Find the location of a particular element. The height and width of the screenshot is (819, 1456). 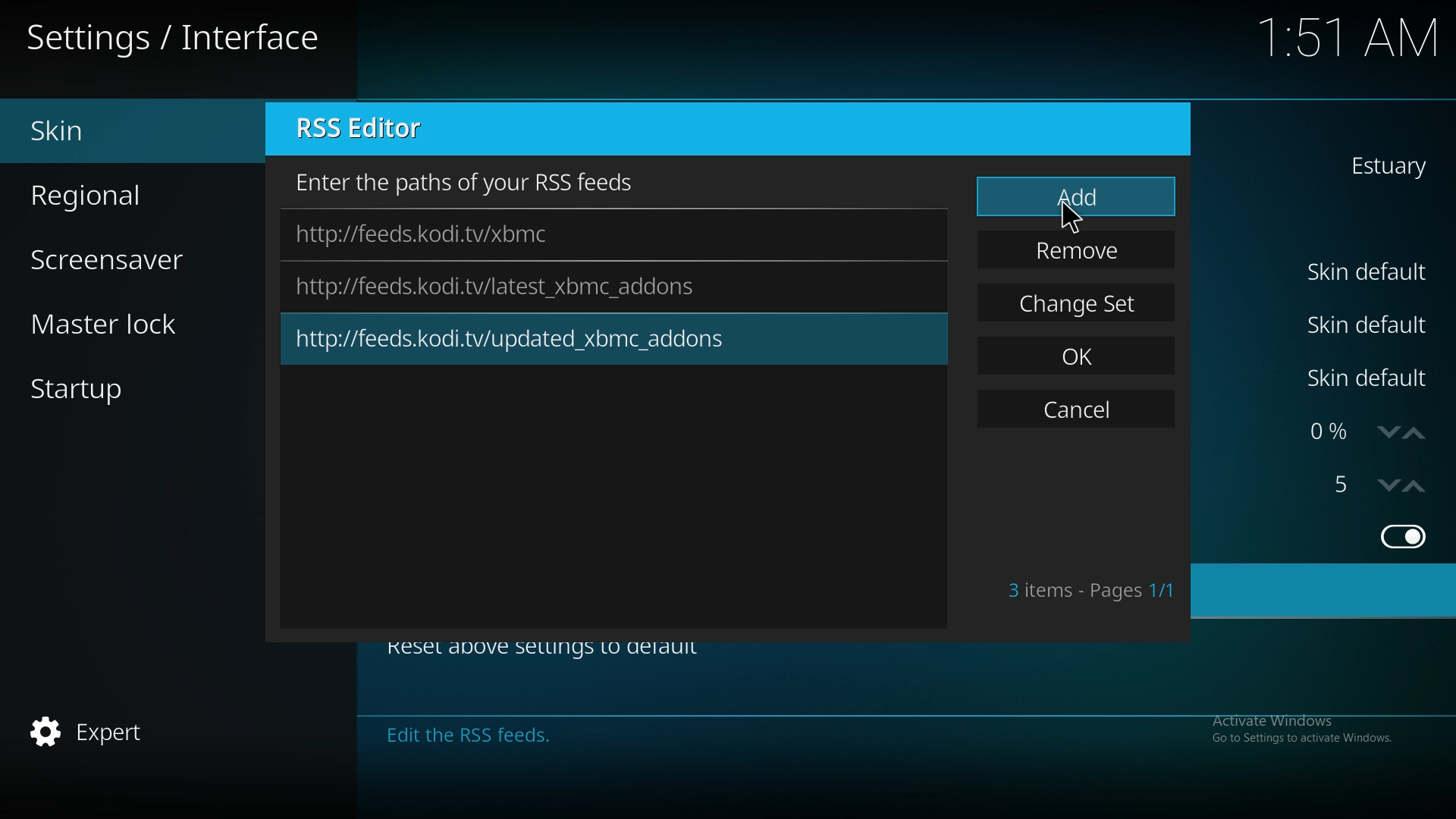

skin default is located at coordinates (1368, 323).